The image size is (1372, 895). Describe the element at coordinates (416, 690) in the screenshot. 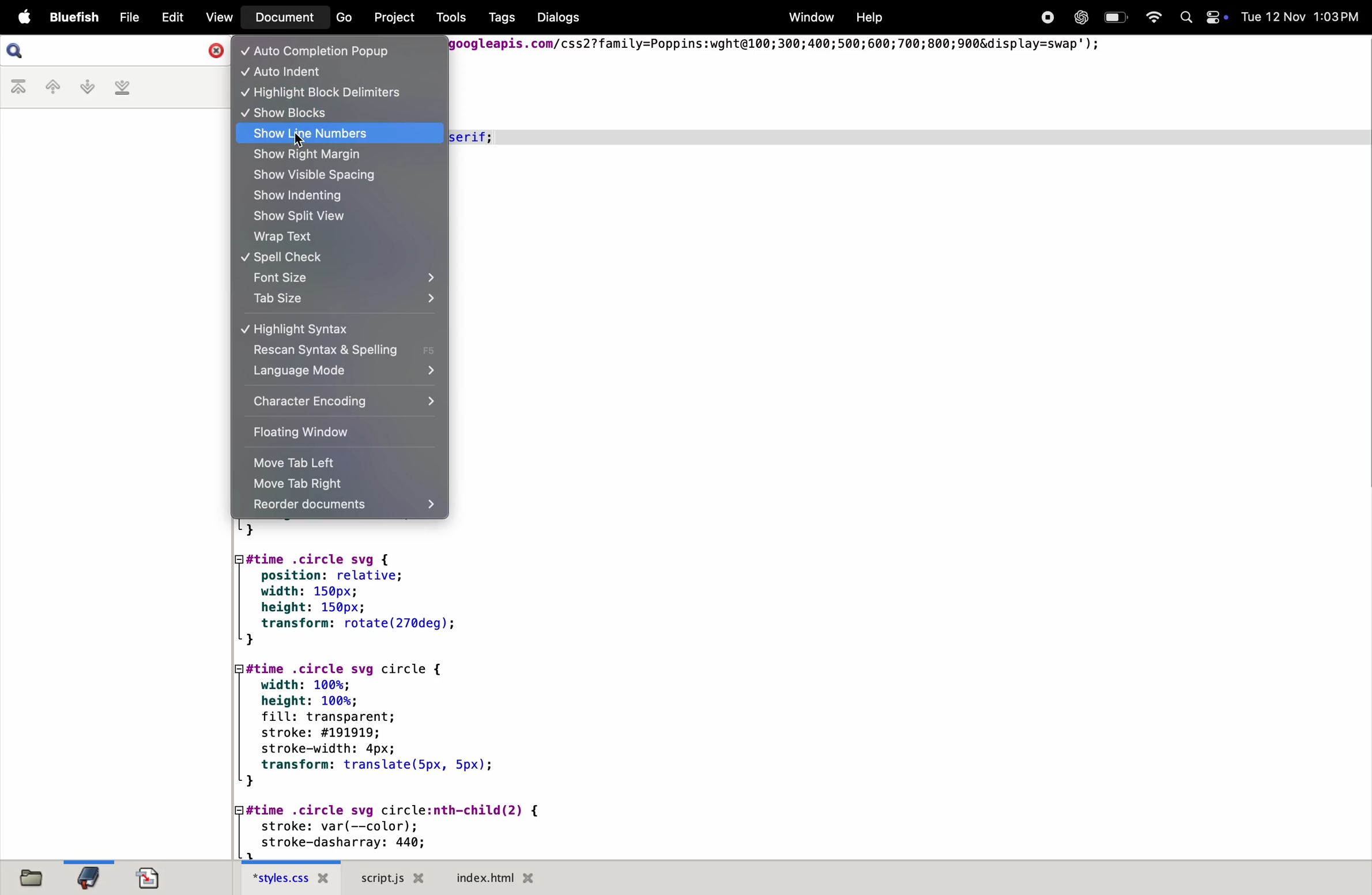

I see `code block` at that location.